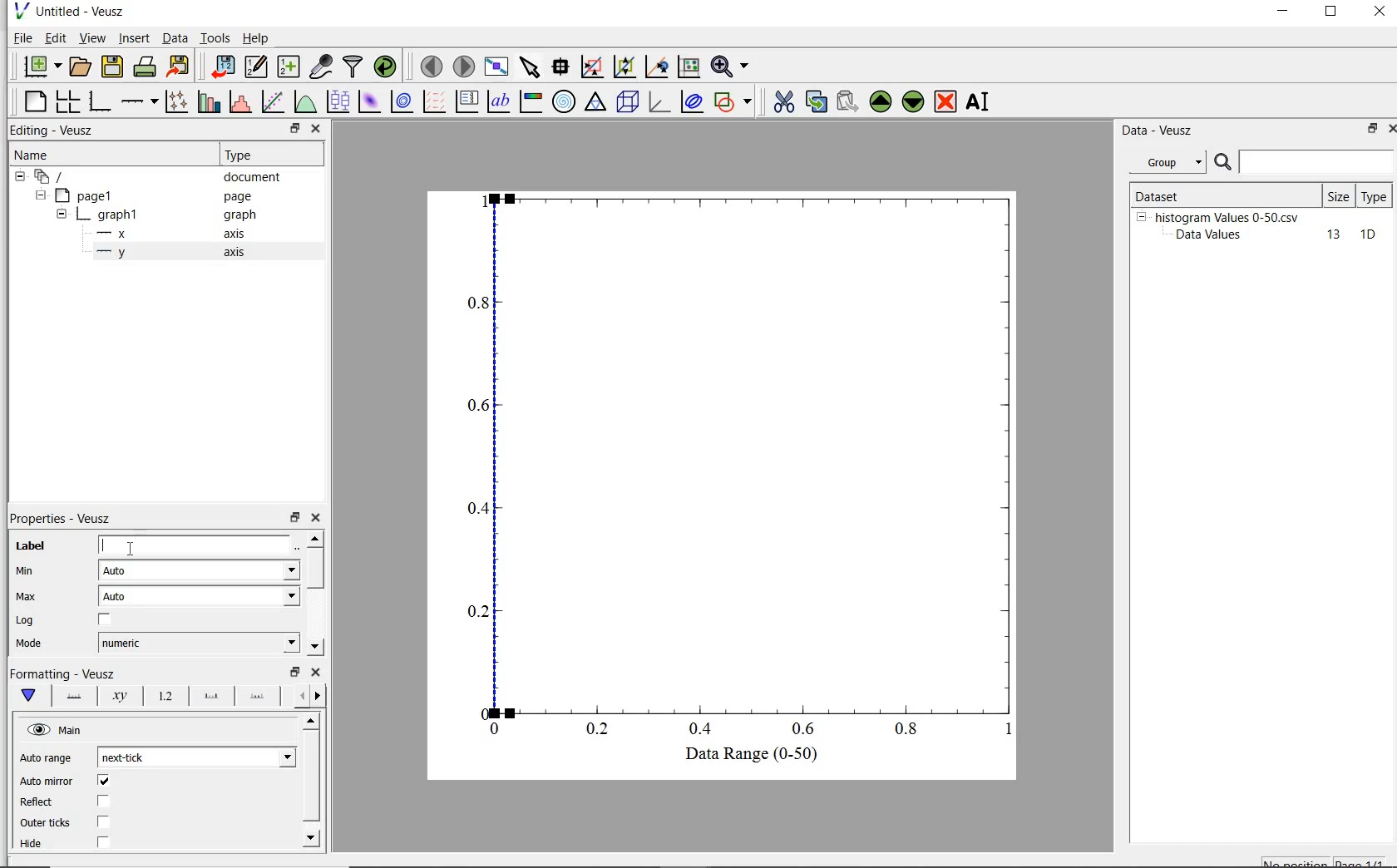  I want to click on checkbox, so click(103, 801).